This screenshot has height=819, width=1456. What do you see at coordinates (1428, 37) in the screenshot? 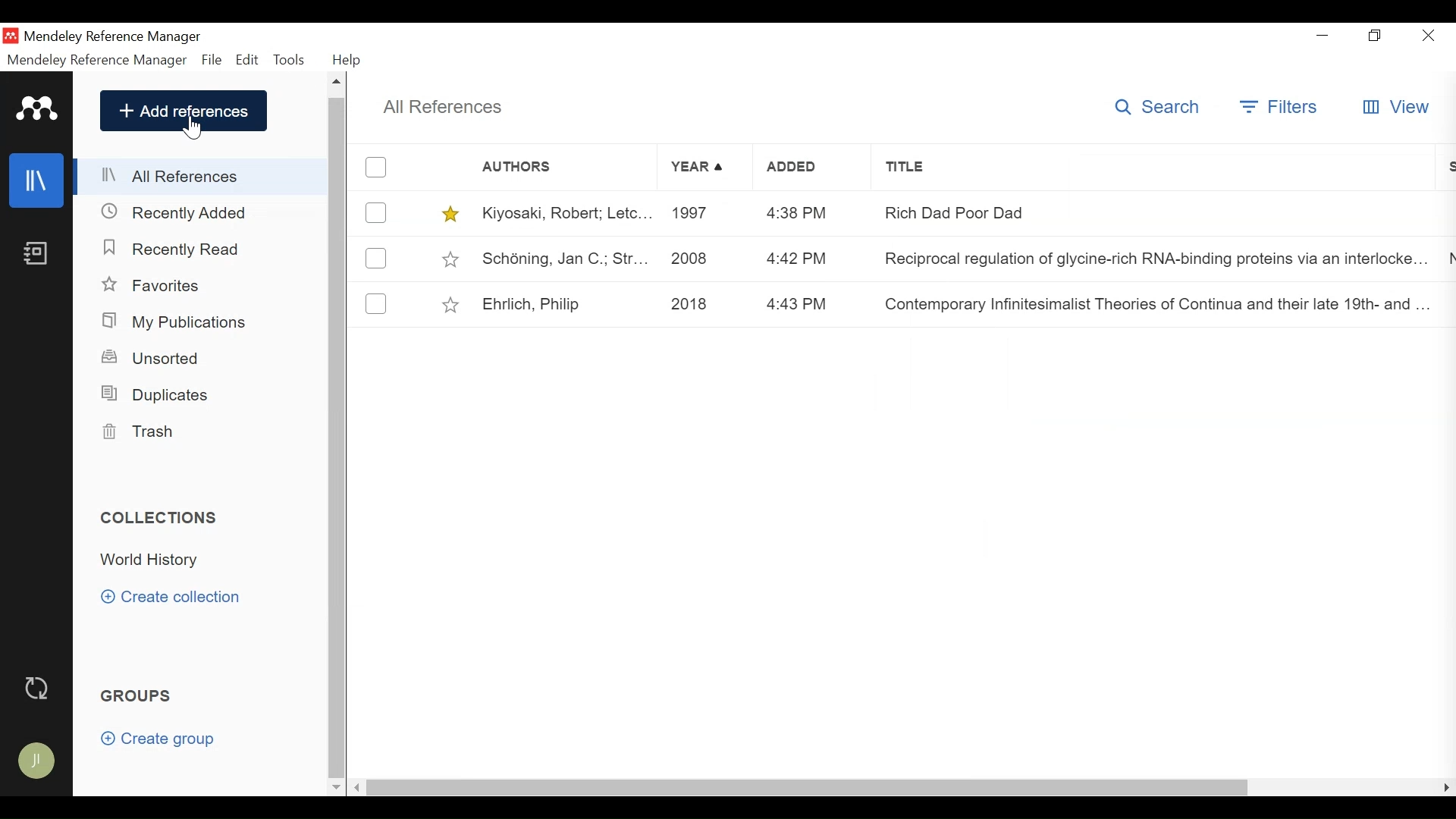
I see `Close` at bounding box center [1428, 37].